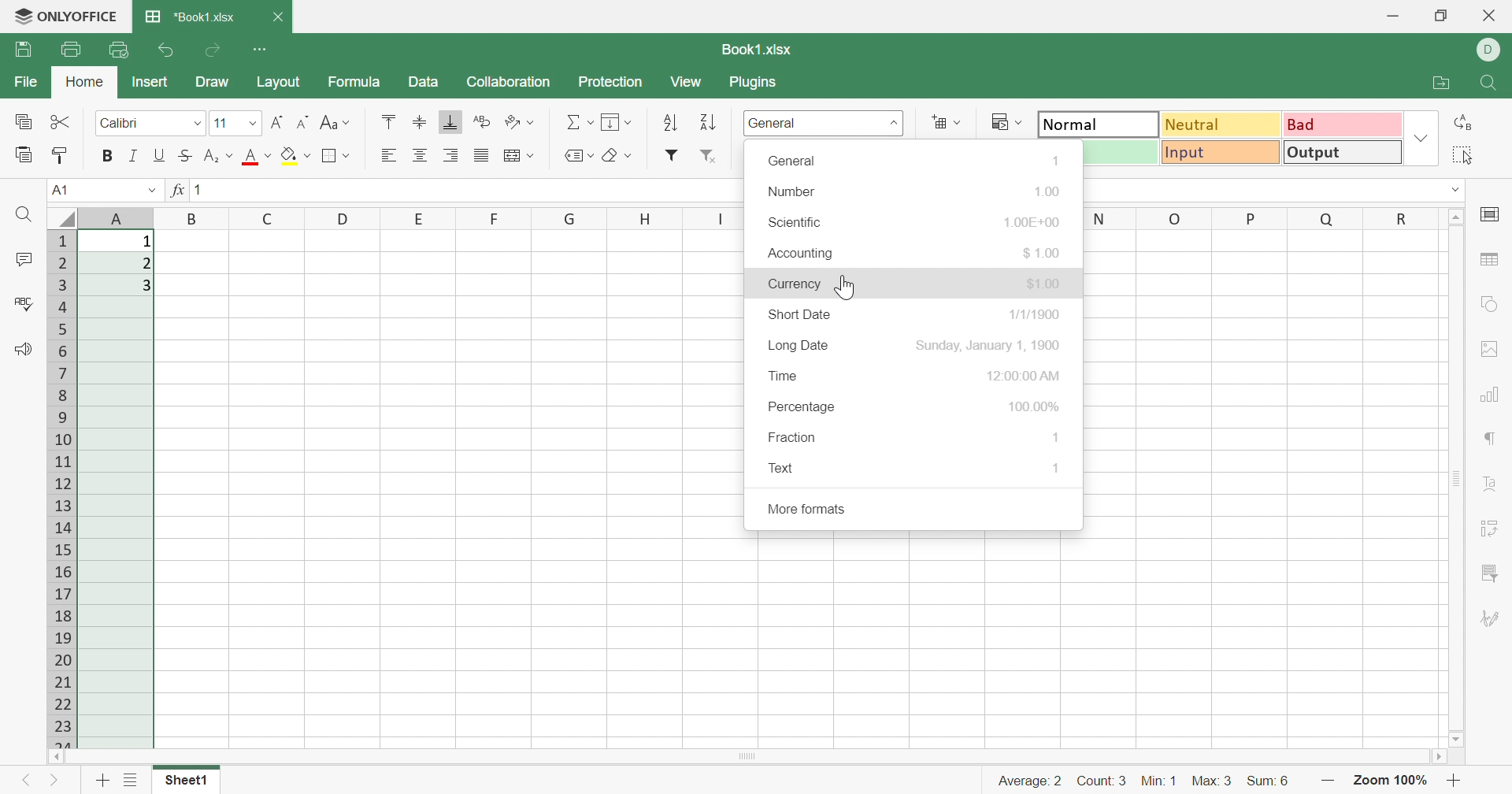  Describe the element at coordinates (190, 15) in the screenshot. I see `*Book1.xlsx` at that location.